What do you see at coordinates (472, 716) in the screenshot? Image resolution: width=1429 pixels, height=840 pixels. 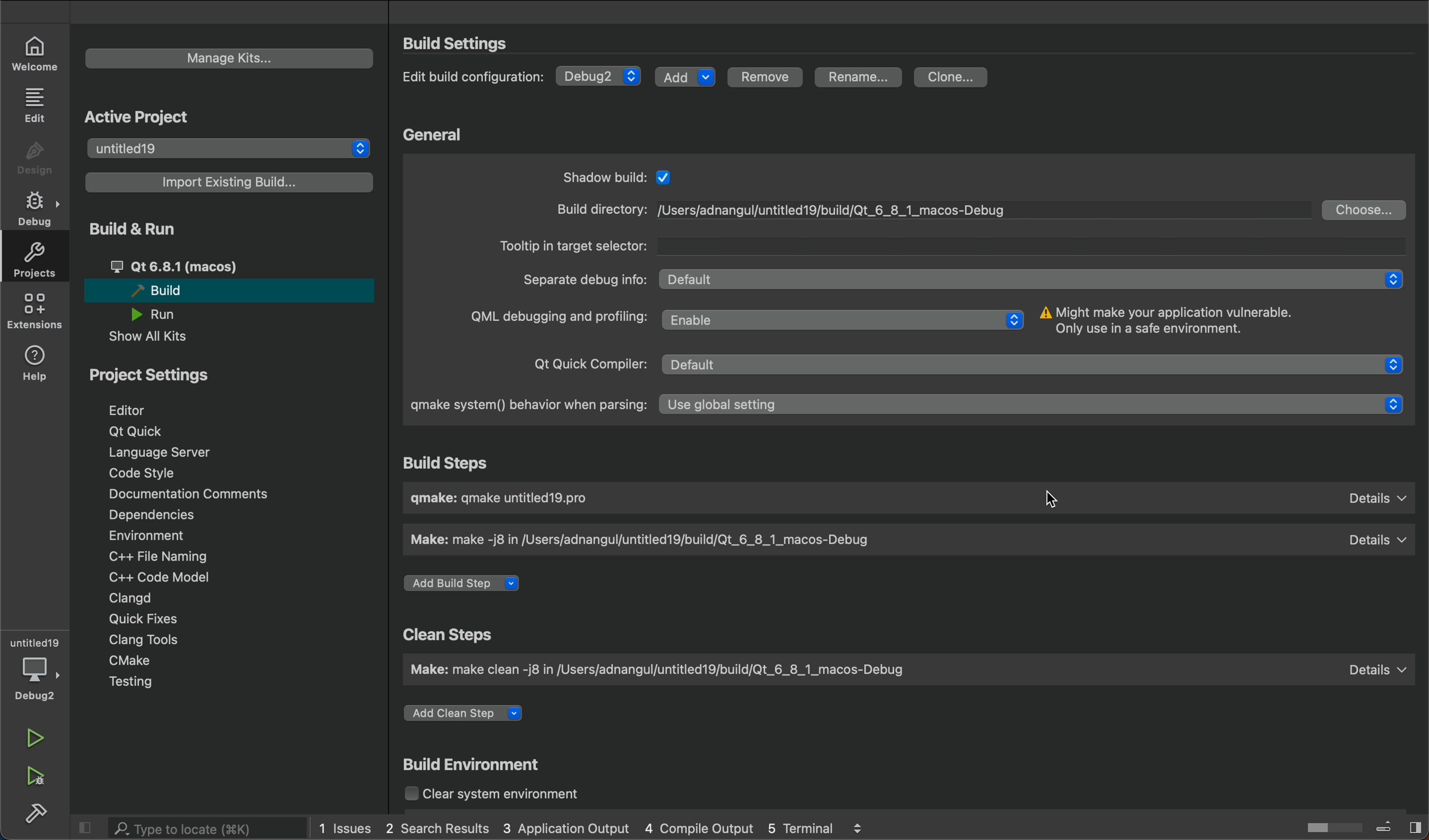 I see `add clean step` at bounding box center [472, 716].